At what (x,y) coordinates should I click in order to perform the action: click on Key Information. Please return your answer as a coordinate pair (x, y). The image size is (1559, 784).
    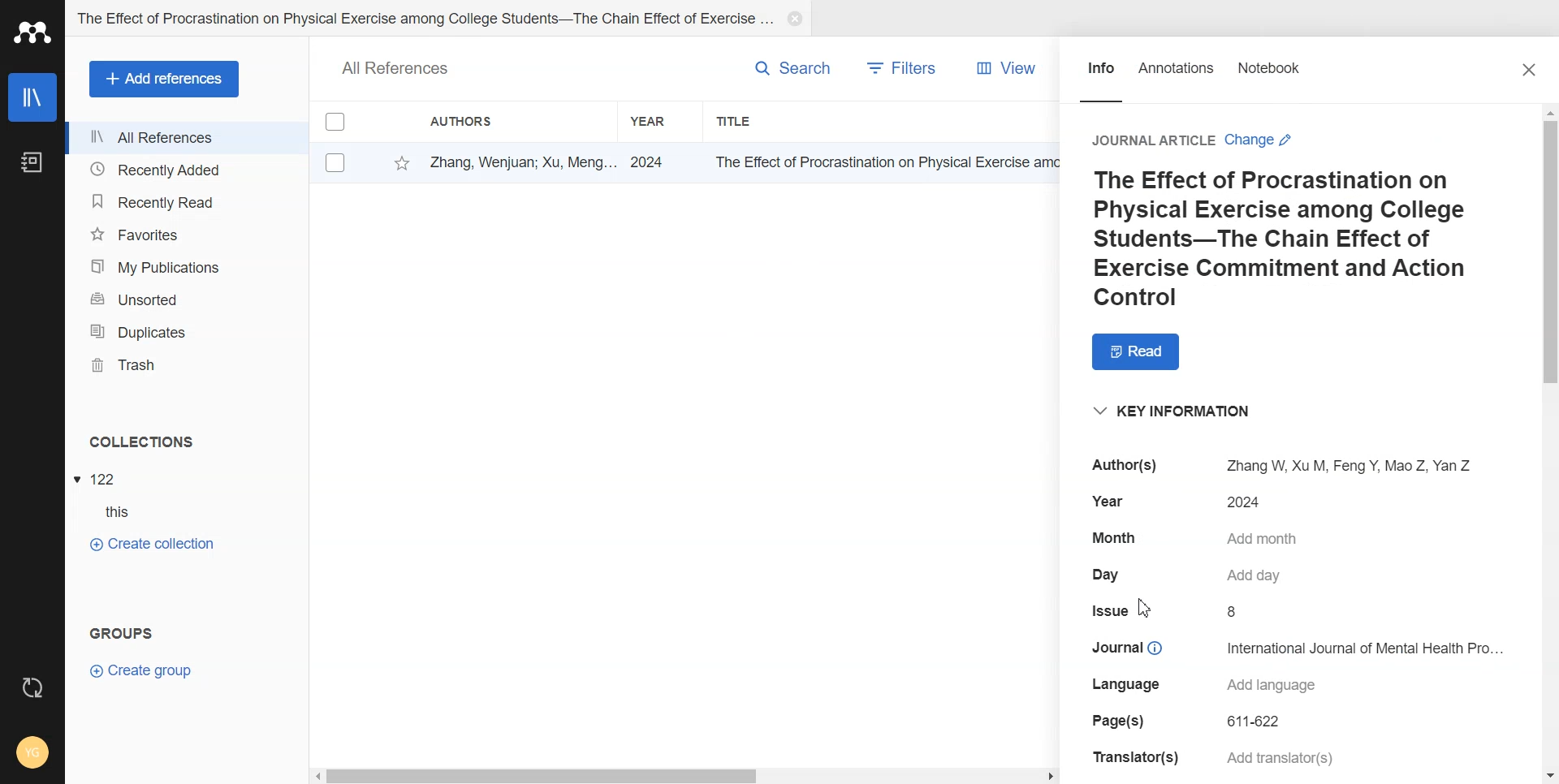
    Looking at the image, I should click on (1183, 411).